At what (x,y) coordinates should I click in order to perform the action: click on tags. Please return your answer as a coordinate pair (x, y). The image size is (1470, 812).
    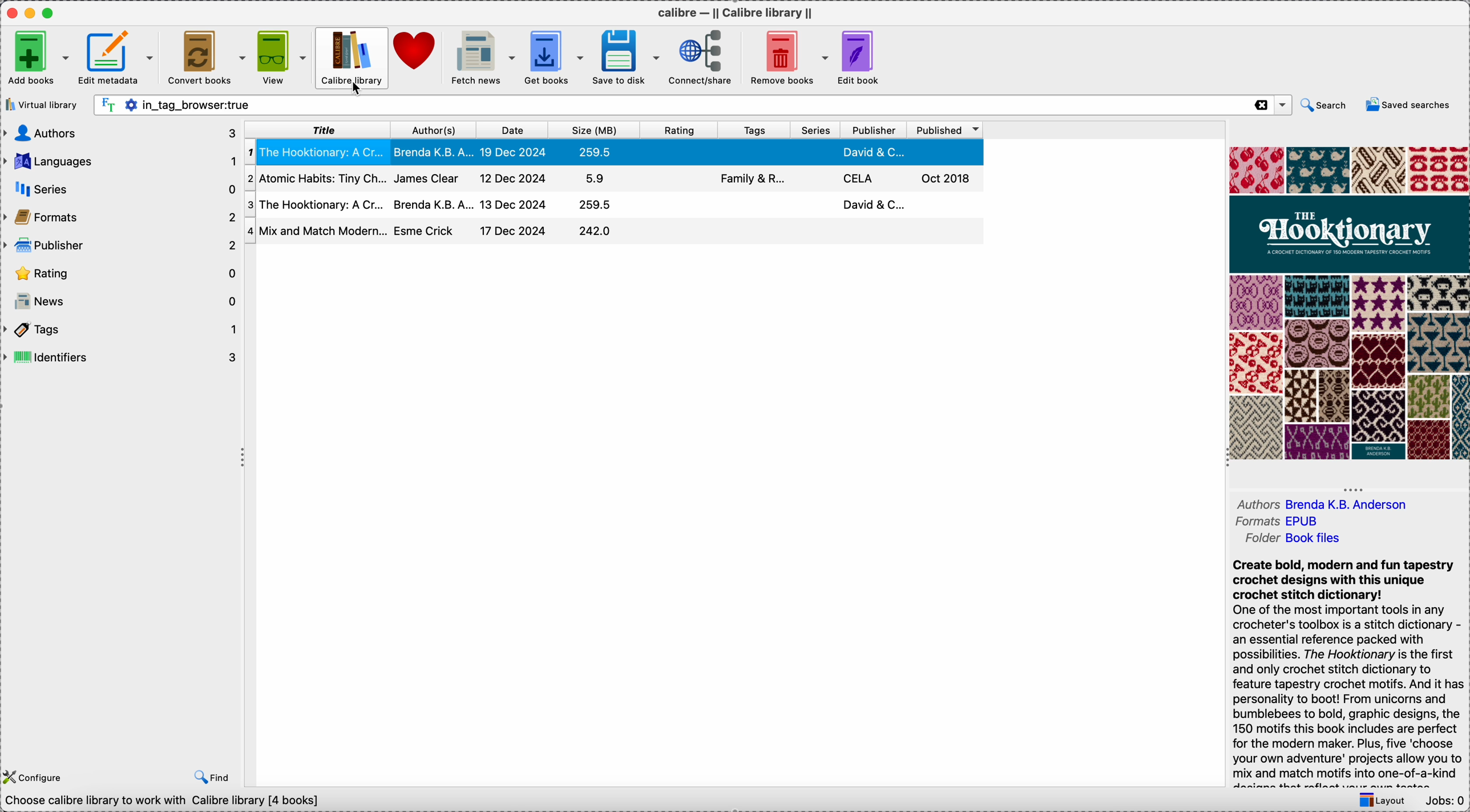
    Looking at the image, I should click on (122, 329).